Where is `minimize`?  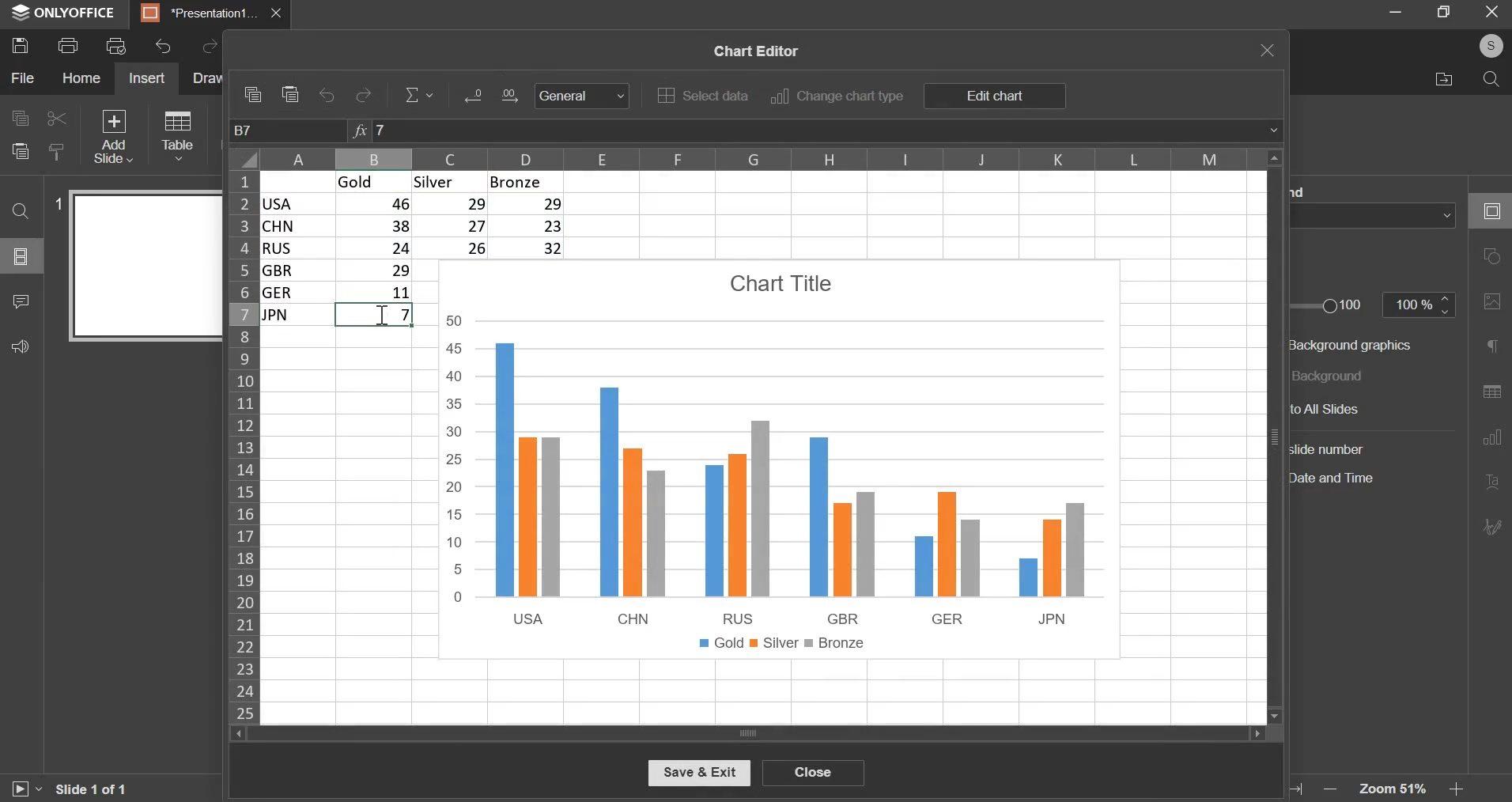
minimize is located at coordinates (1396, 9).